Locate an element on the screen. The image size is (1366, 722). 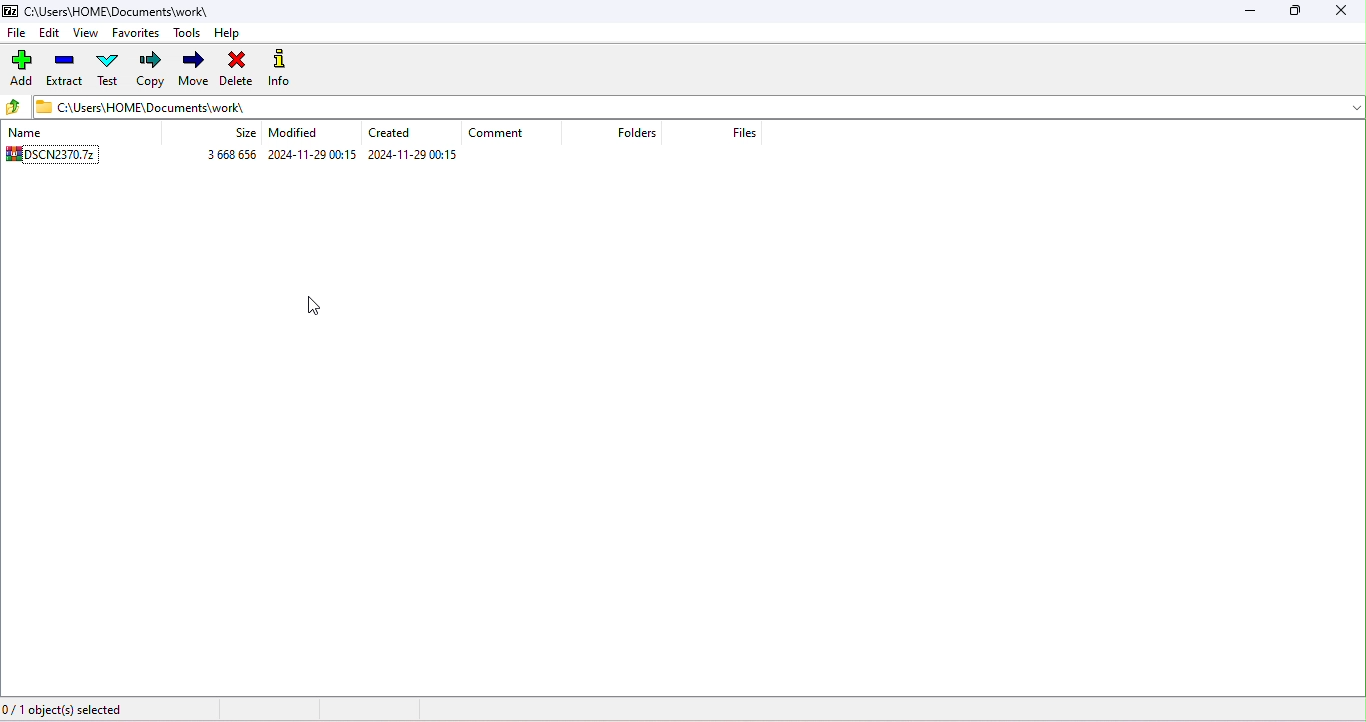
tools is located at coordinates (188, 34).